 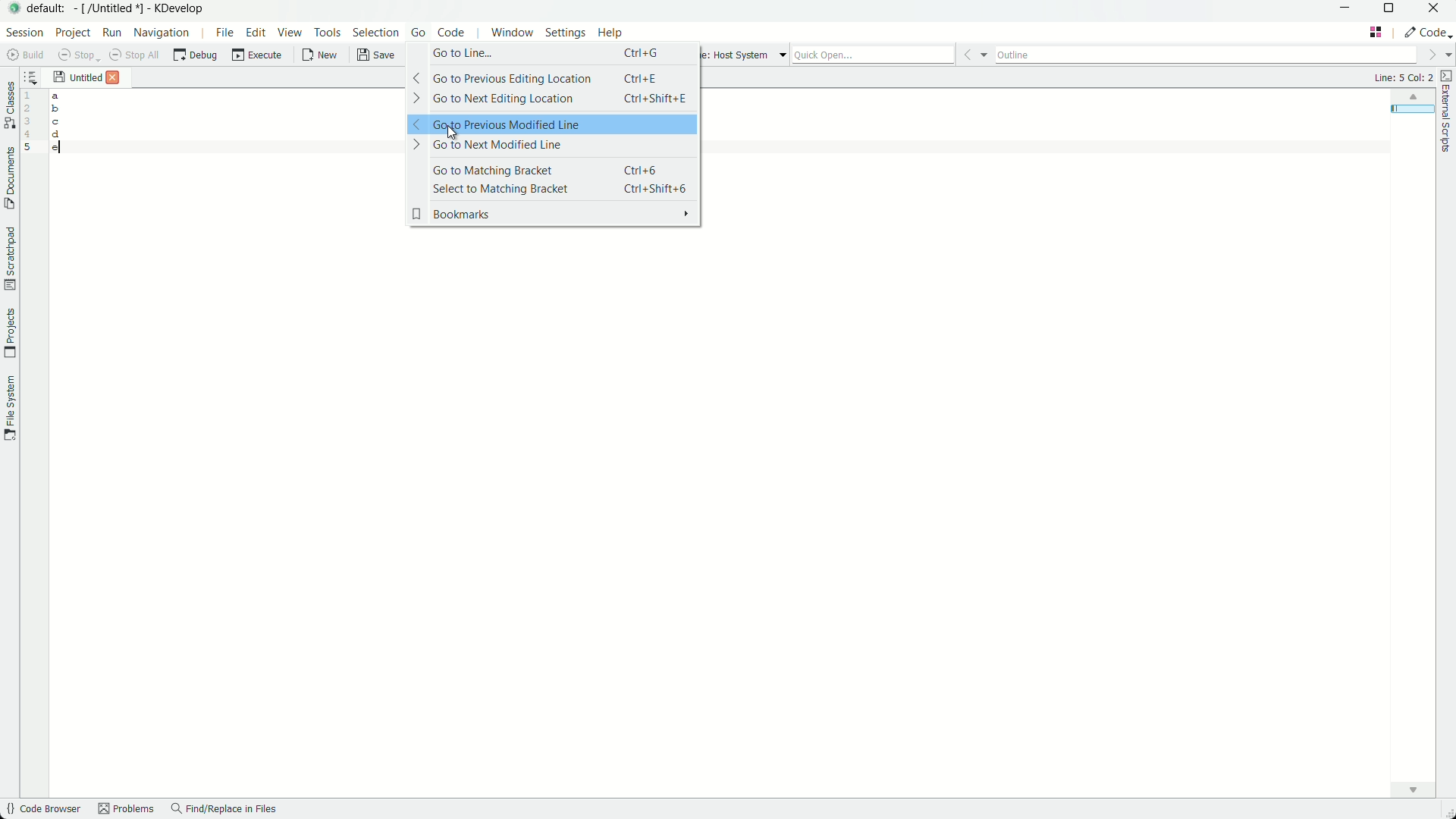 What do you see at coordinates (59, 76) in the screenshot?
I see `save icon` at bounding box center [59, 76].